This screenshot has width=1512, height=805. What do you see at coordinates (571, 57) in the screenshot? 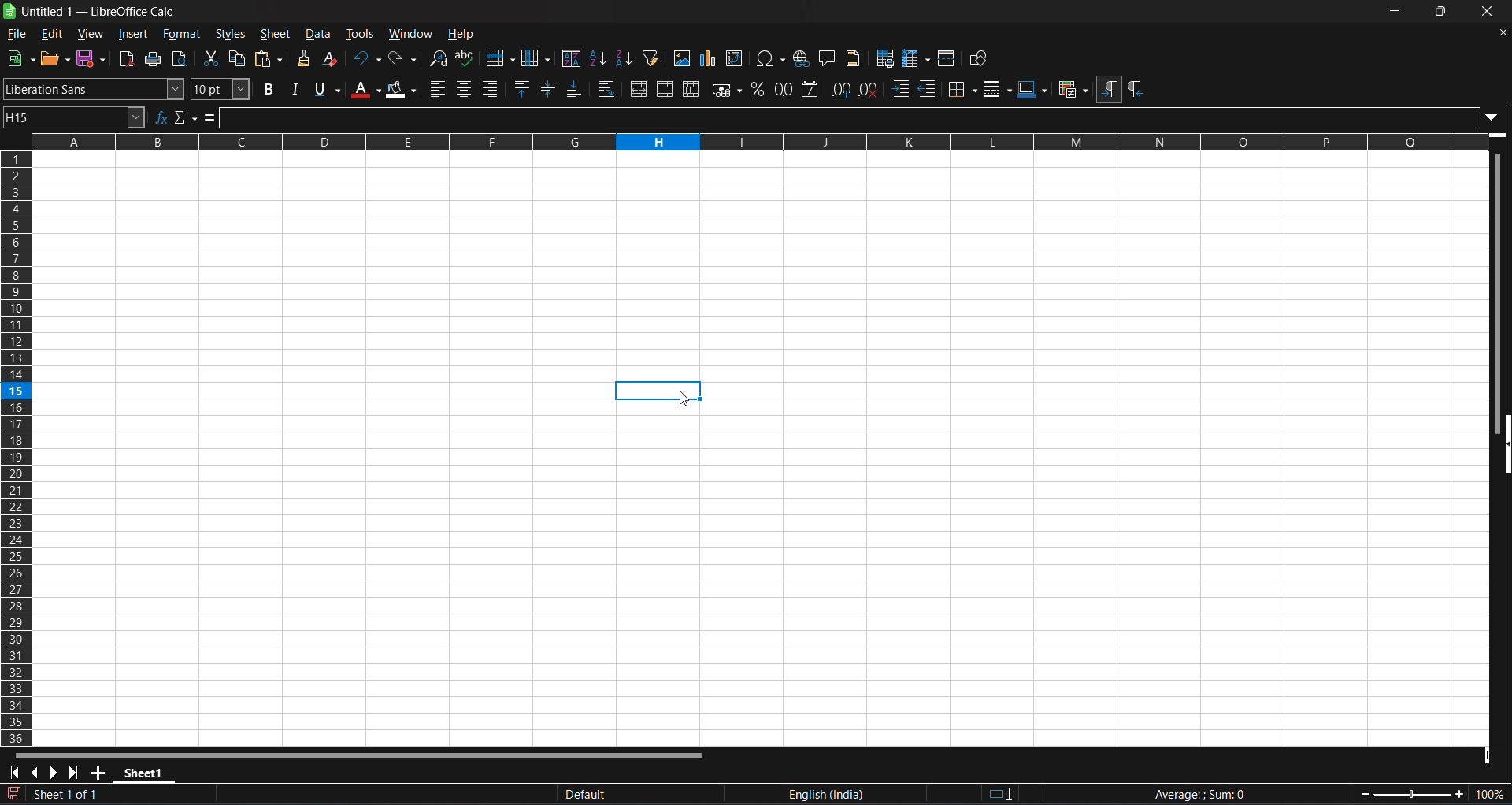
I see `sort` at bounding box center [571, 57].